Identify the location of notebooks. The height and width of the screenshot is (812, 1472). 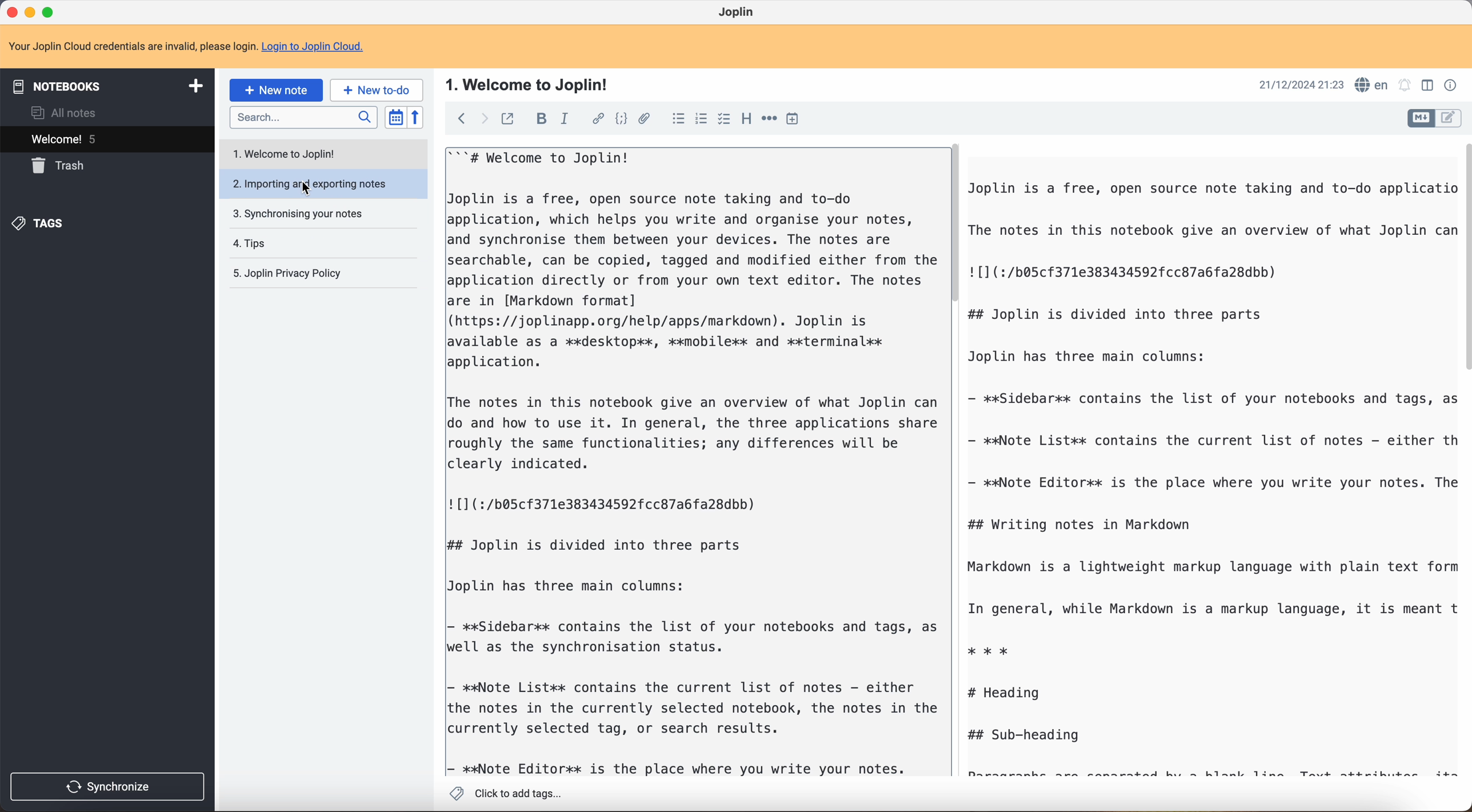
(111, 85).